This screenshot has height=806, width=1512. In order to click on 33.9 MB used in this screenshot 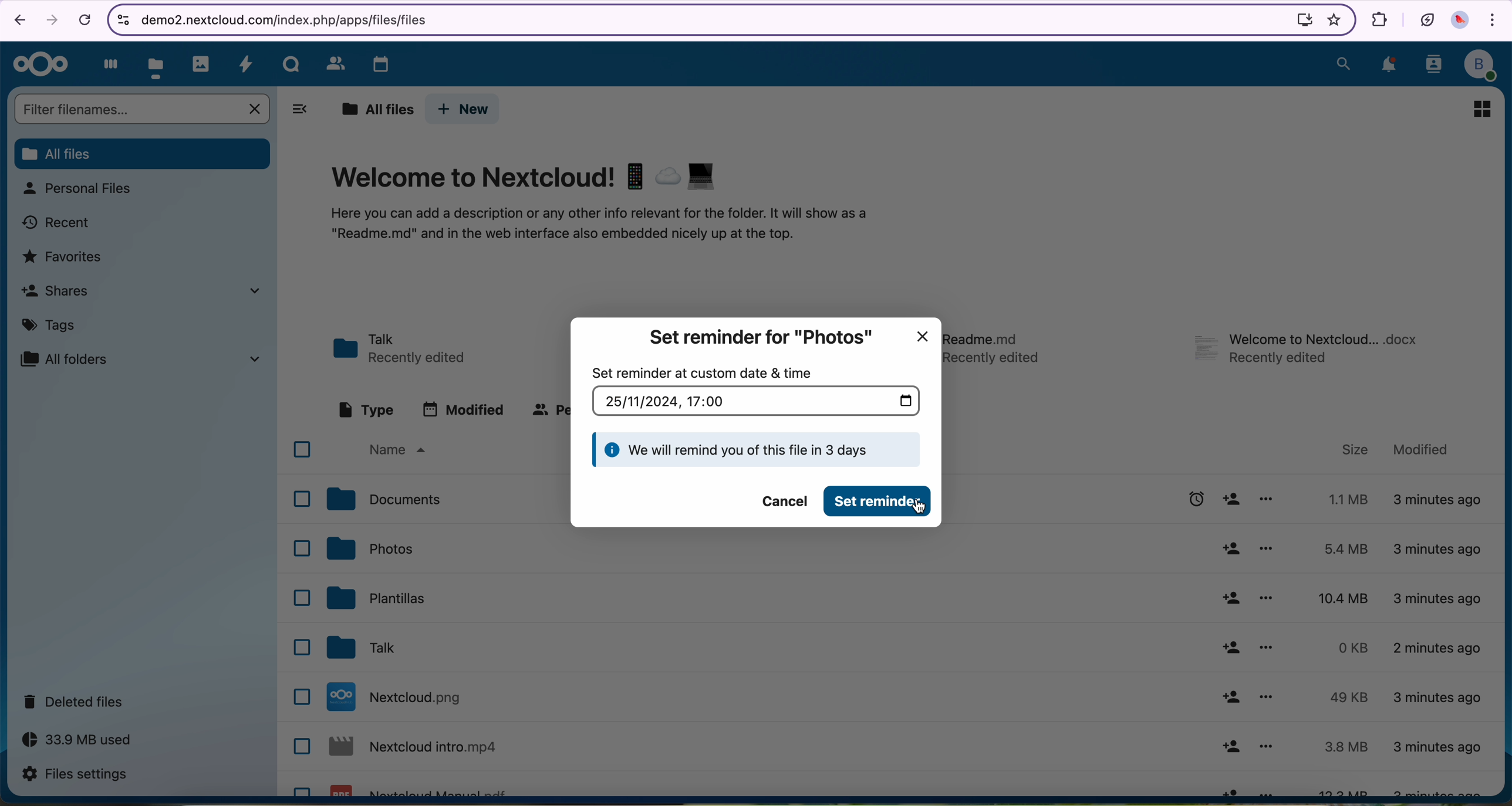, I will do `click(77, 741)`.